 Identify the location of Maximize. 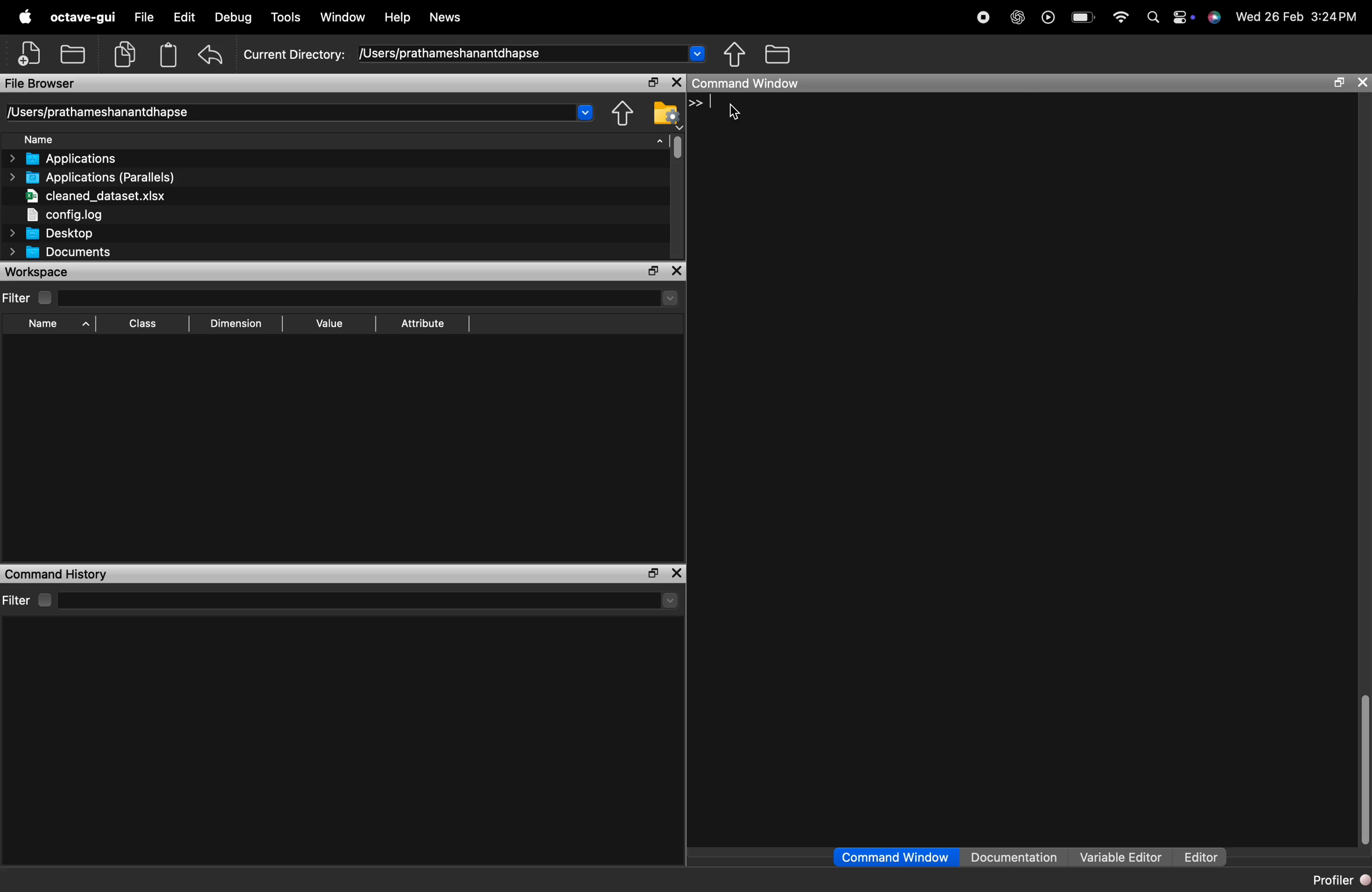
(650, 573).